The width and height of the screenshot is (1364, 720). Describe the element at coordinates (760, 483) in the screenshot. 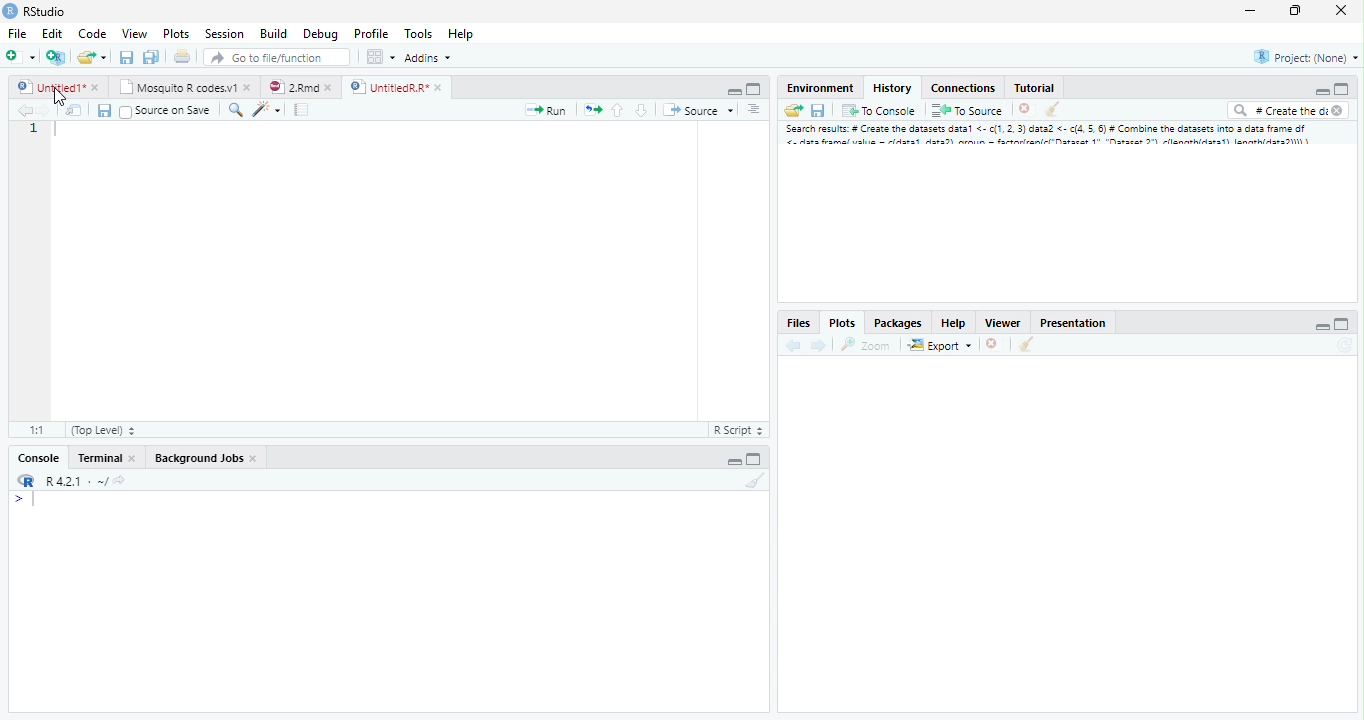

I see `Clear Console` at that location.